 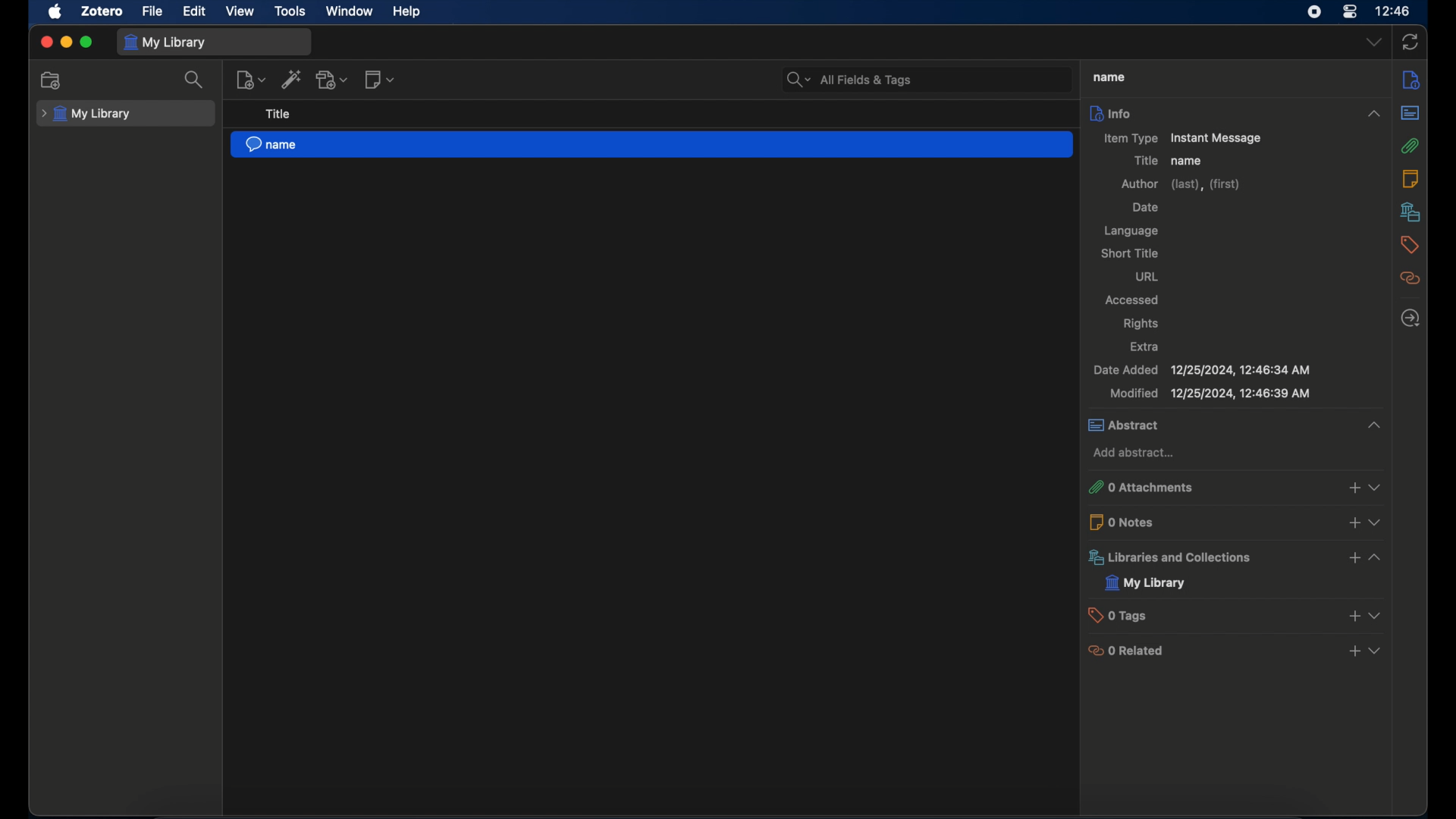 What do you see at coordinates (153, 11) in the screenshot?
I see `file` at bounding box center [153, 11].